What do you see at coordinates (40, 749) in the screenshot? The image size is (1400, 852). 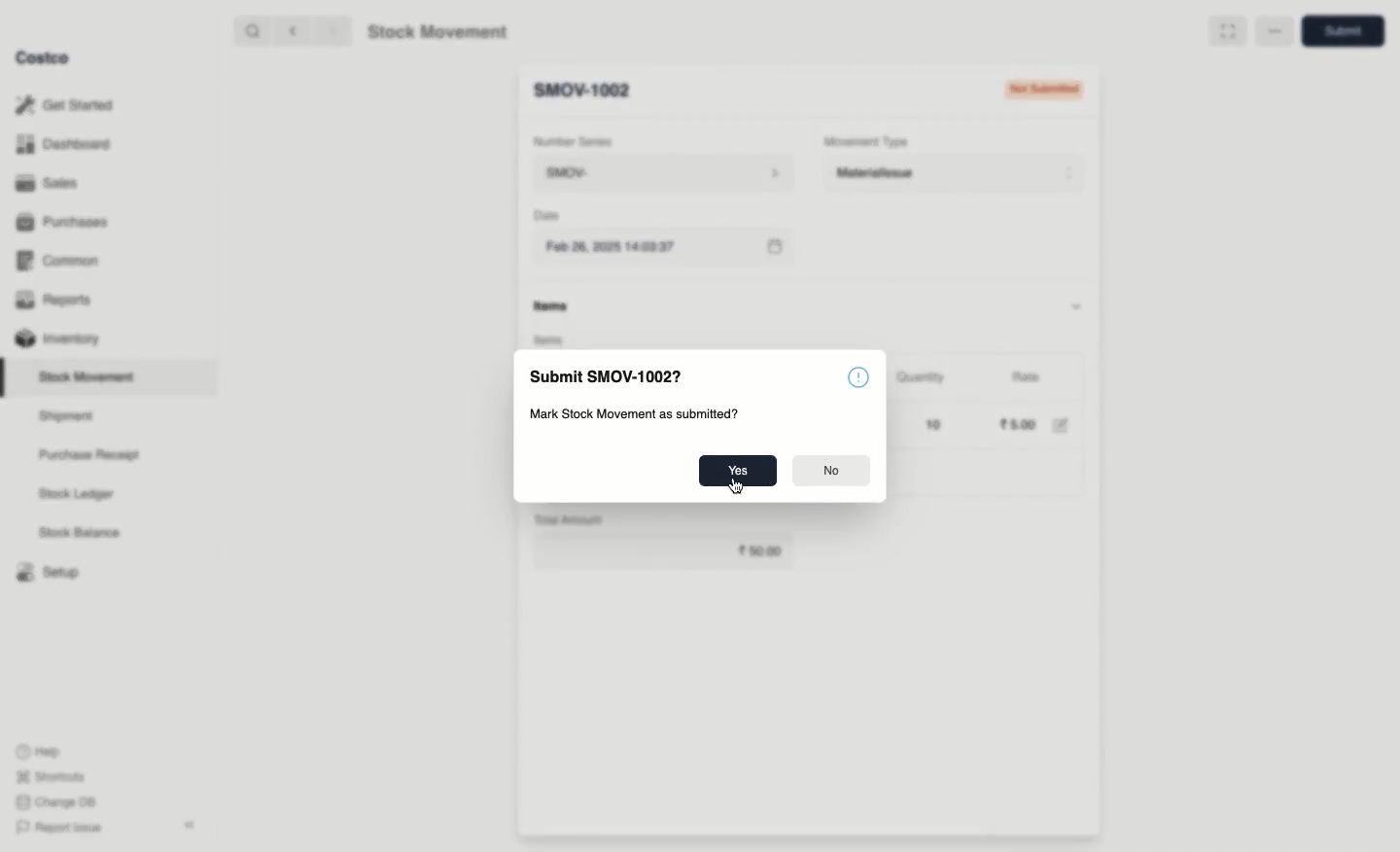 I see `Help` at bounding box center [40, 749].